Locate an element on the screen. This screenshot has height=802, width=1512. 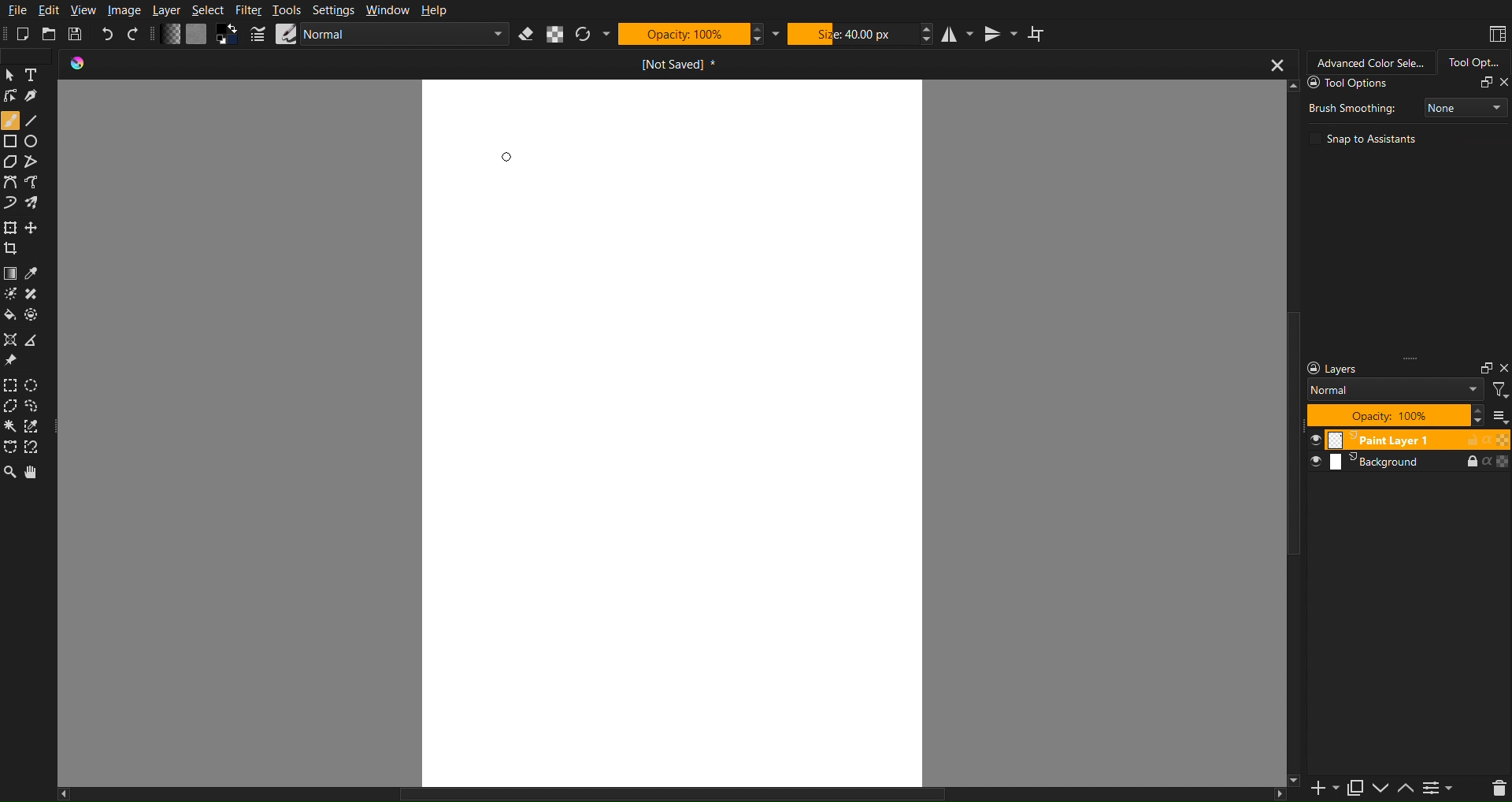
Work Space is located at coordinates (673, 429).